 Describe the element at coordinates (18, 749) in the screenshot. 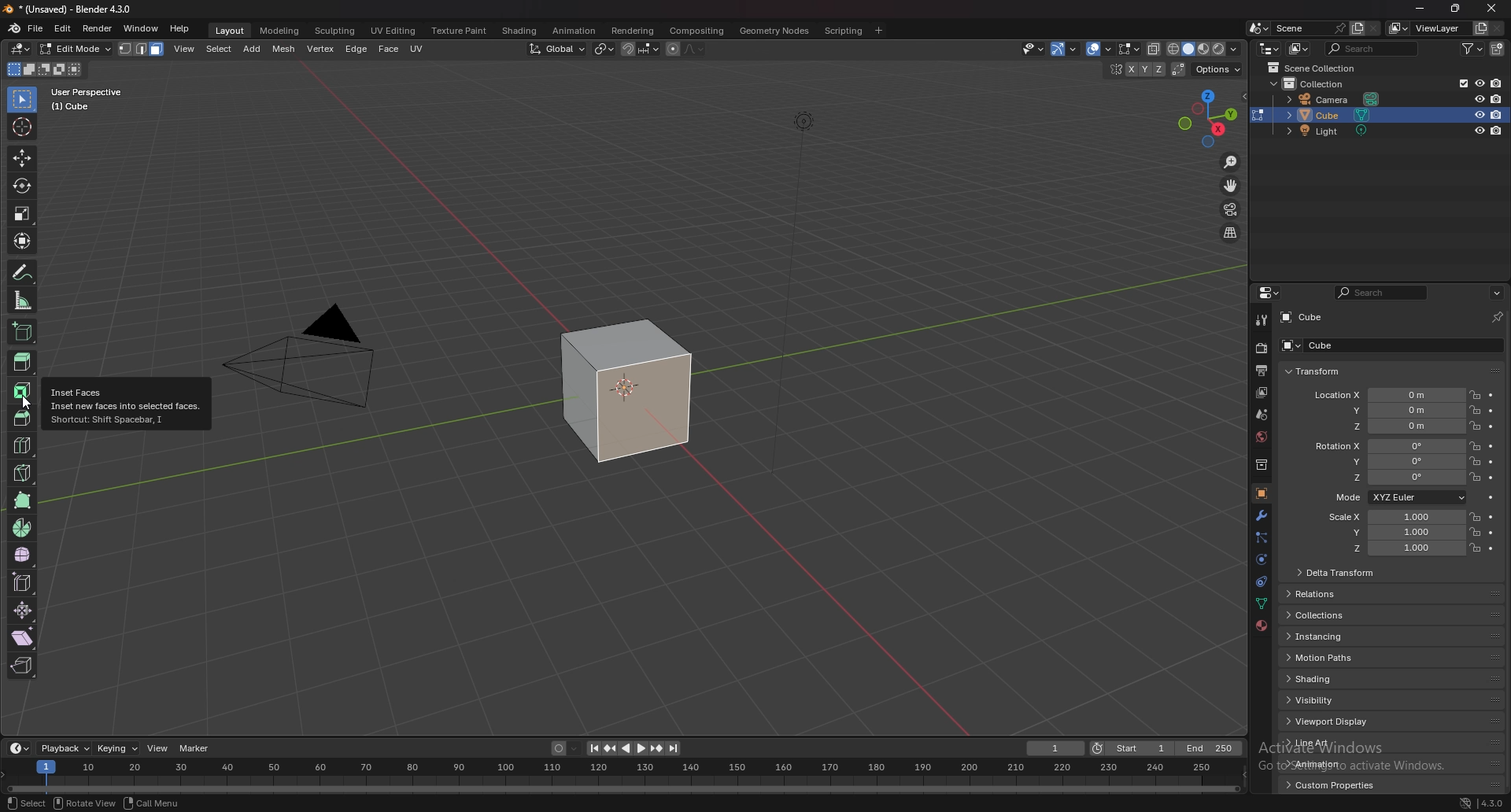

I see `editor type` at that location.